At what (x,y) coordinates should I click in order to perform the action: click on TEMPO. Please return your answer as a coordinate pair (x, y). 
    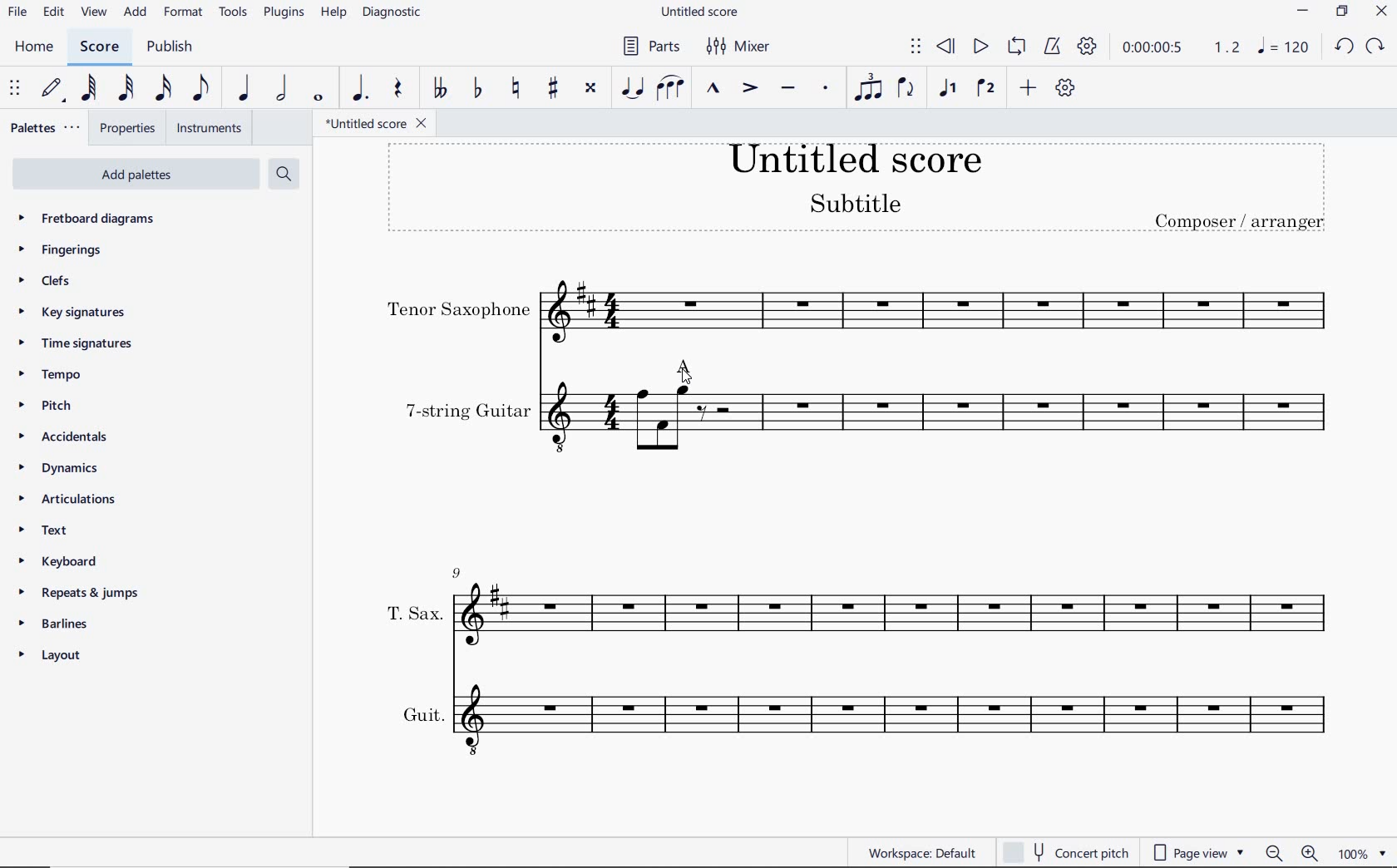
    Looking at the image, I should click on (58, 373).